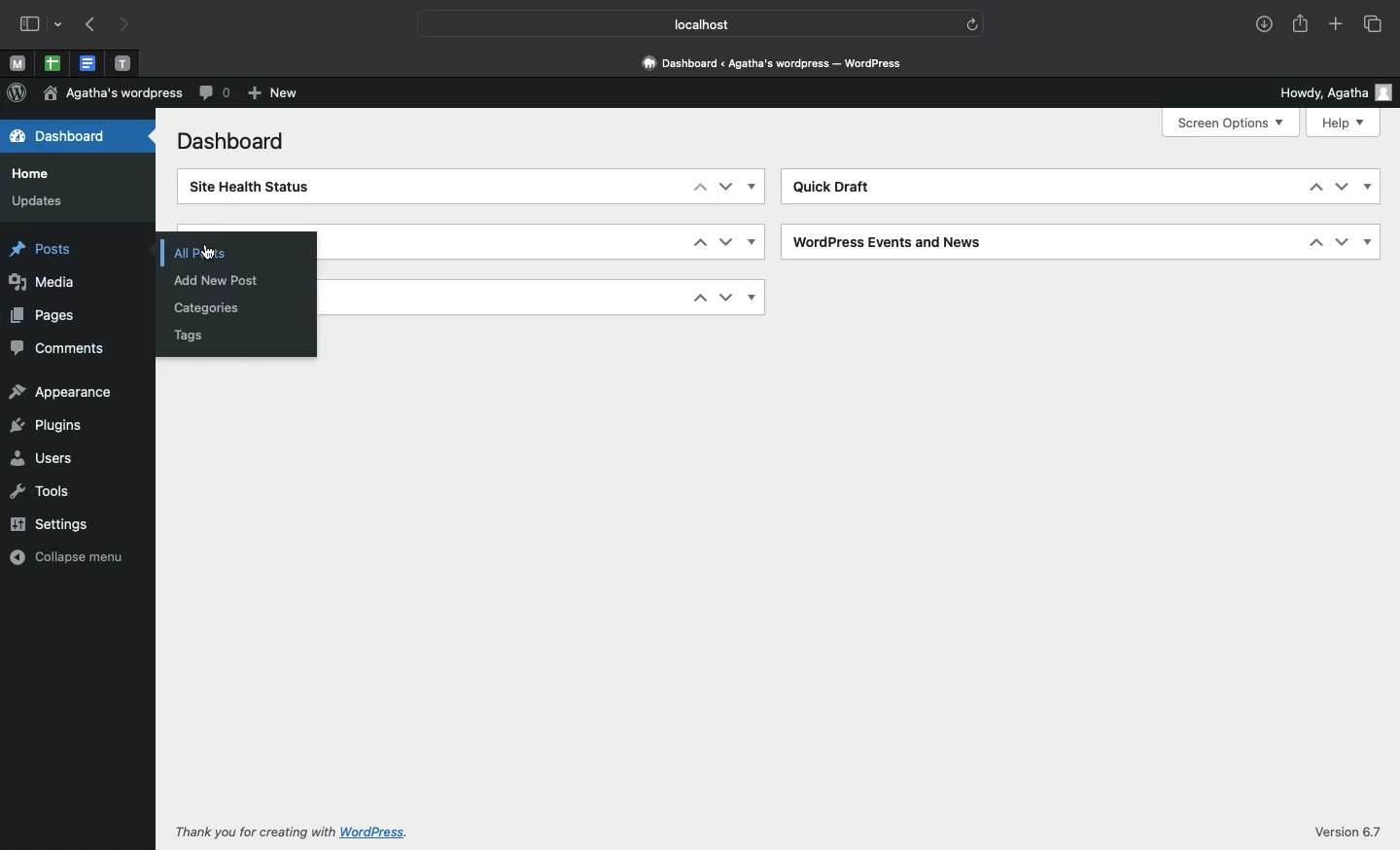 The height and width of the screenshot is (850, 1400). I want to click on Updates, so click(36, 201).